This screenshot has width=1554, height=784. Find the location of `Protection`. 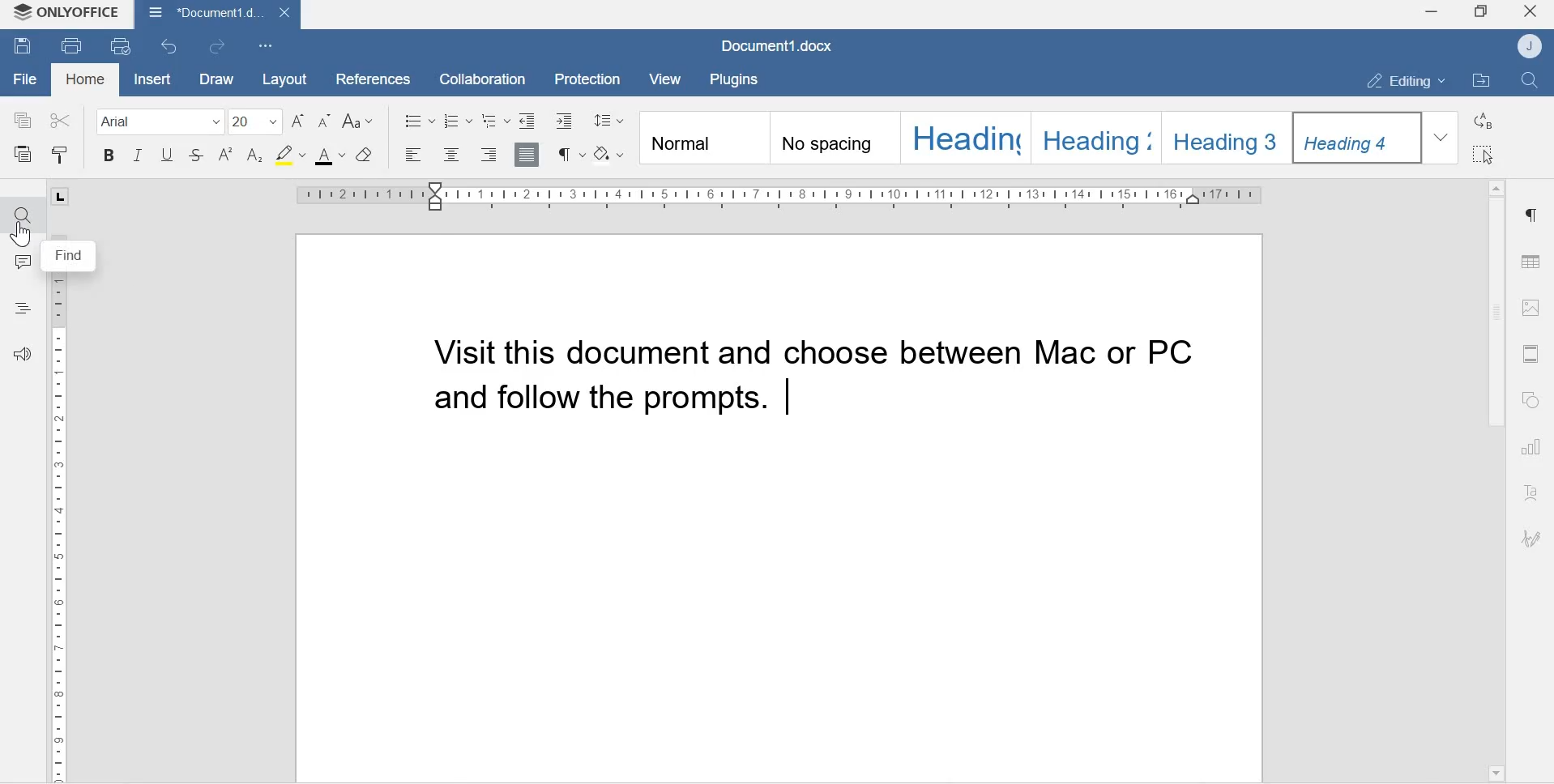

Protection is located at coordinates (589, 78).